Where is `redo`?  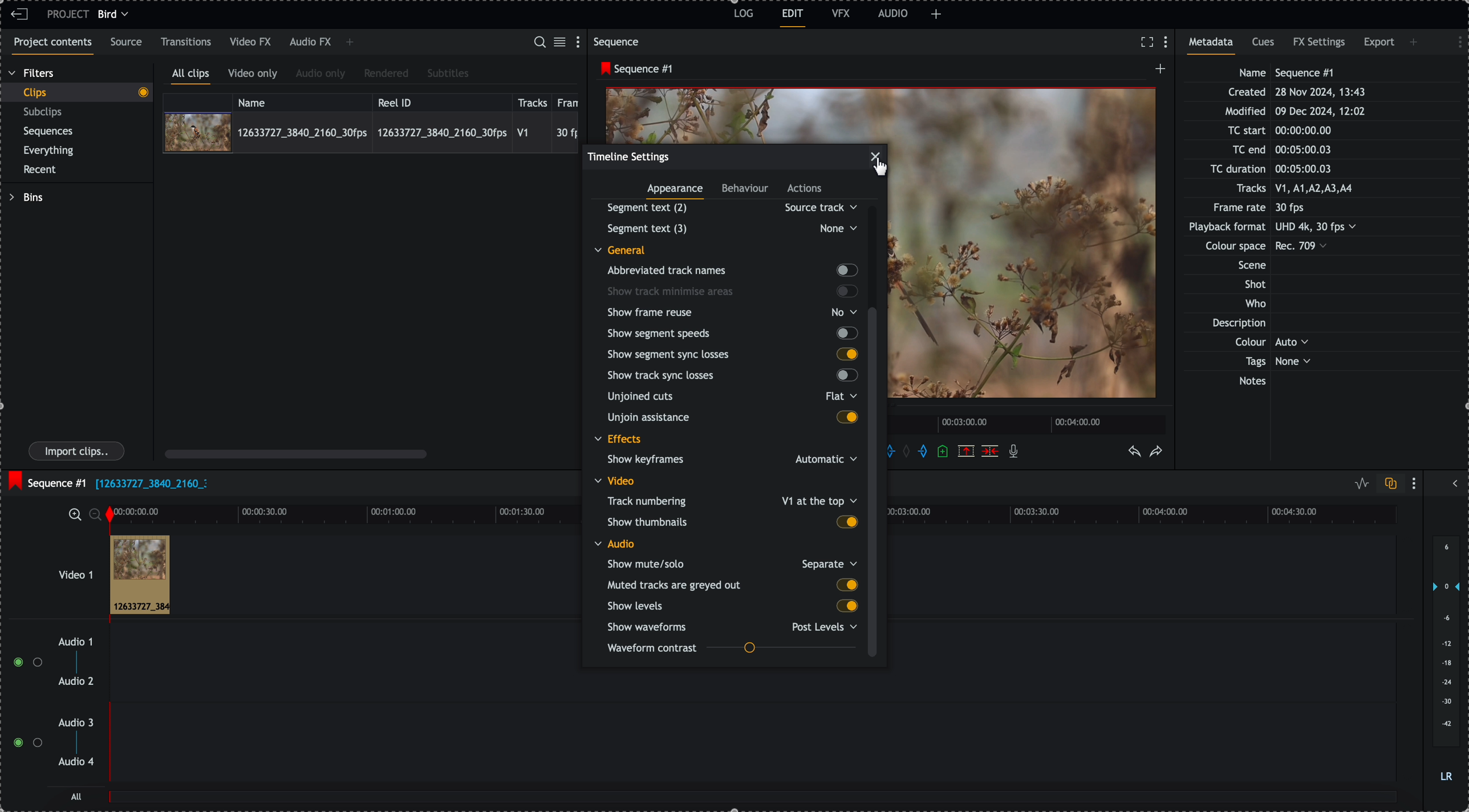
redo is located at coordinates (1156, 452).